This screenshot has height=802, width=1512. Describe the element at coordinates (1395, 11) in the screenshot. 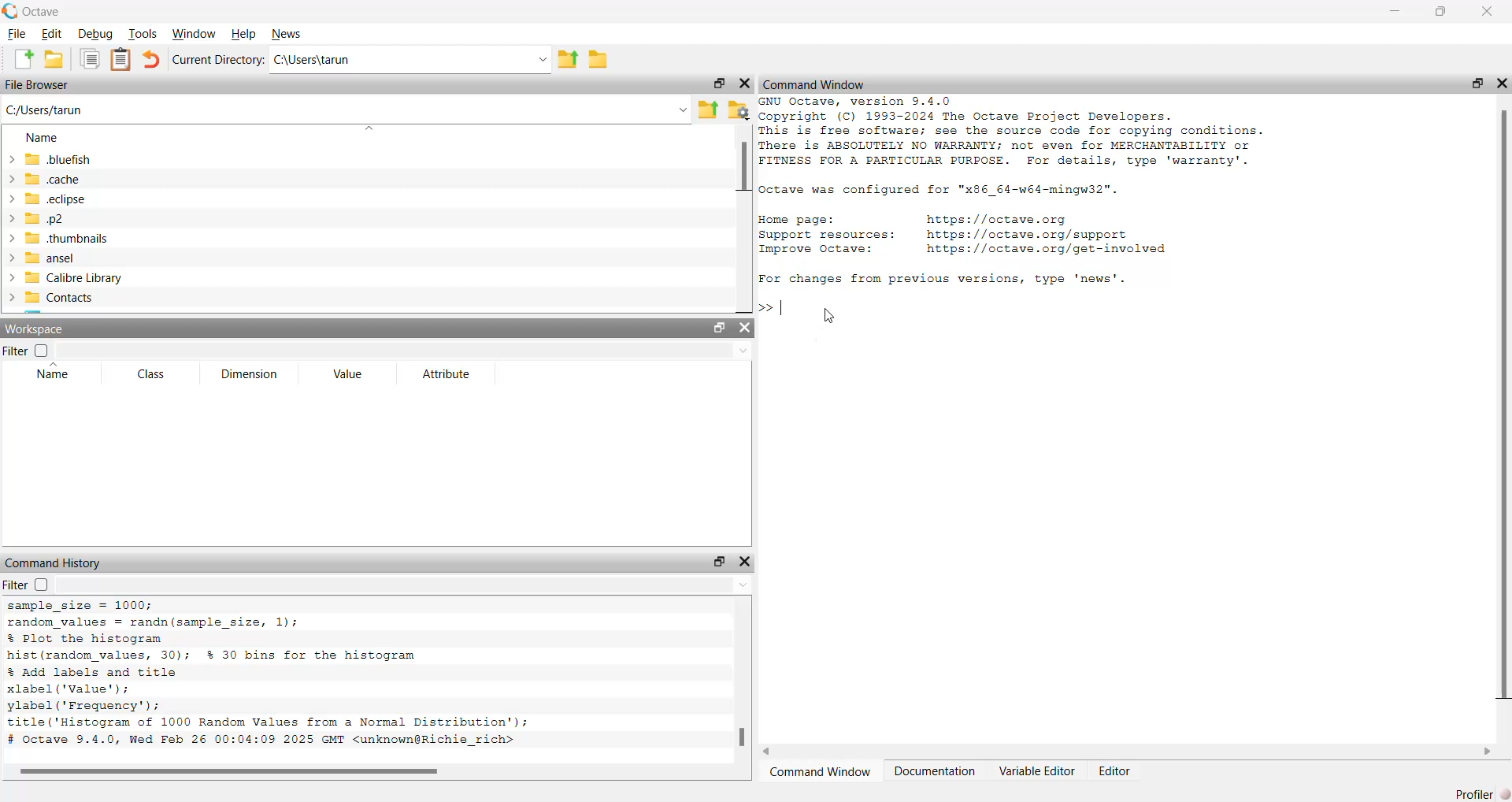

I see `minimize` at that location.